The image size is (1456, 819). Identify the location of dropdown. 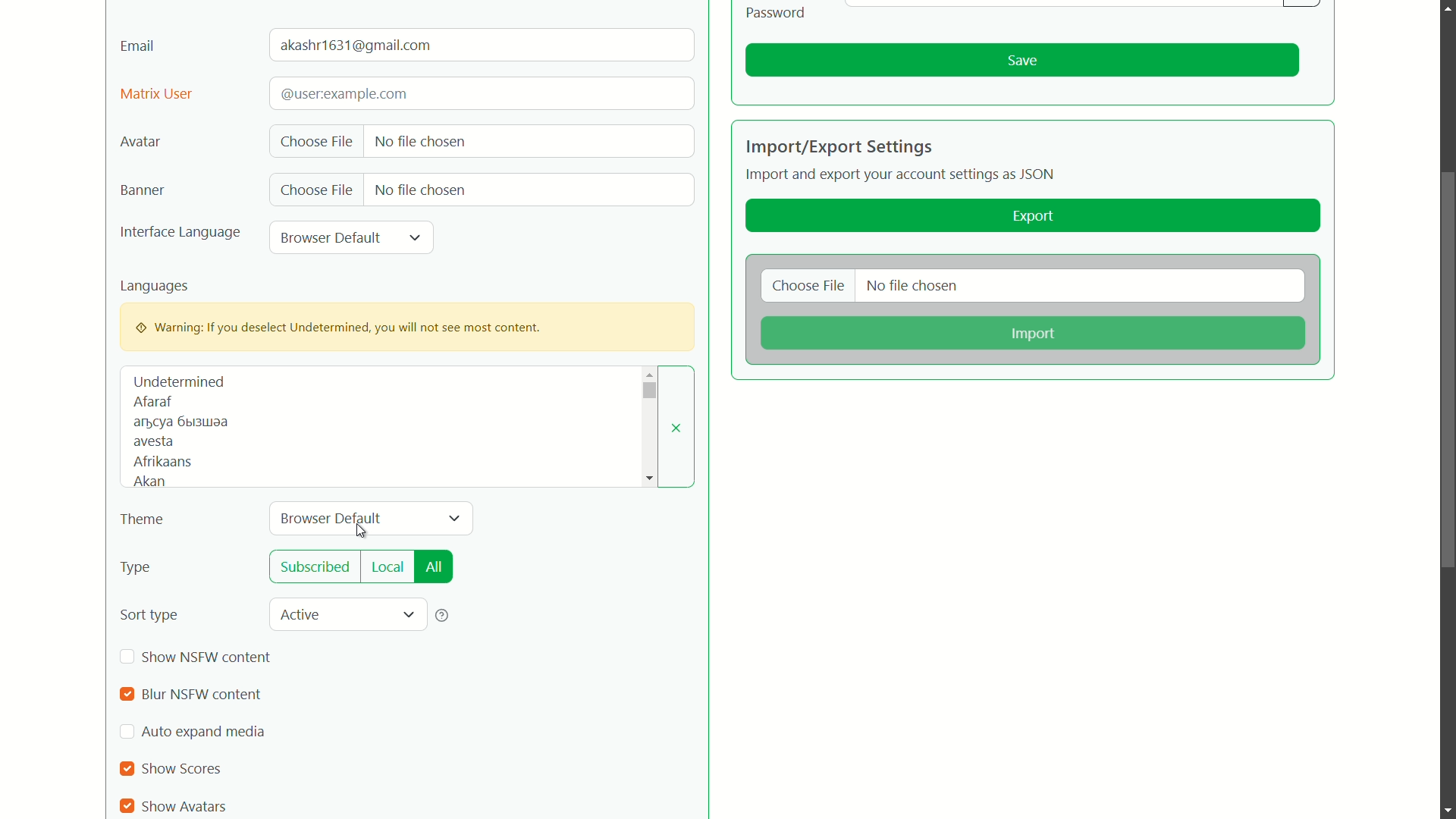
(454, 519).